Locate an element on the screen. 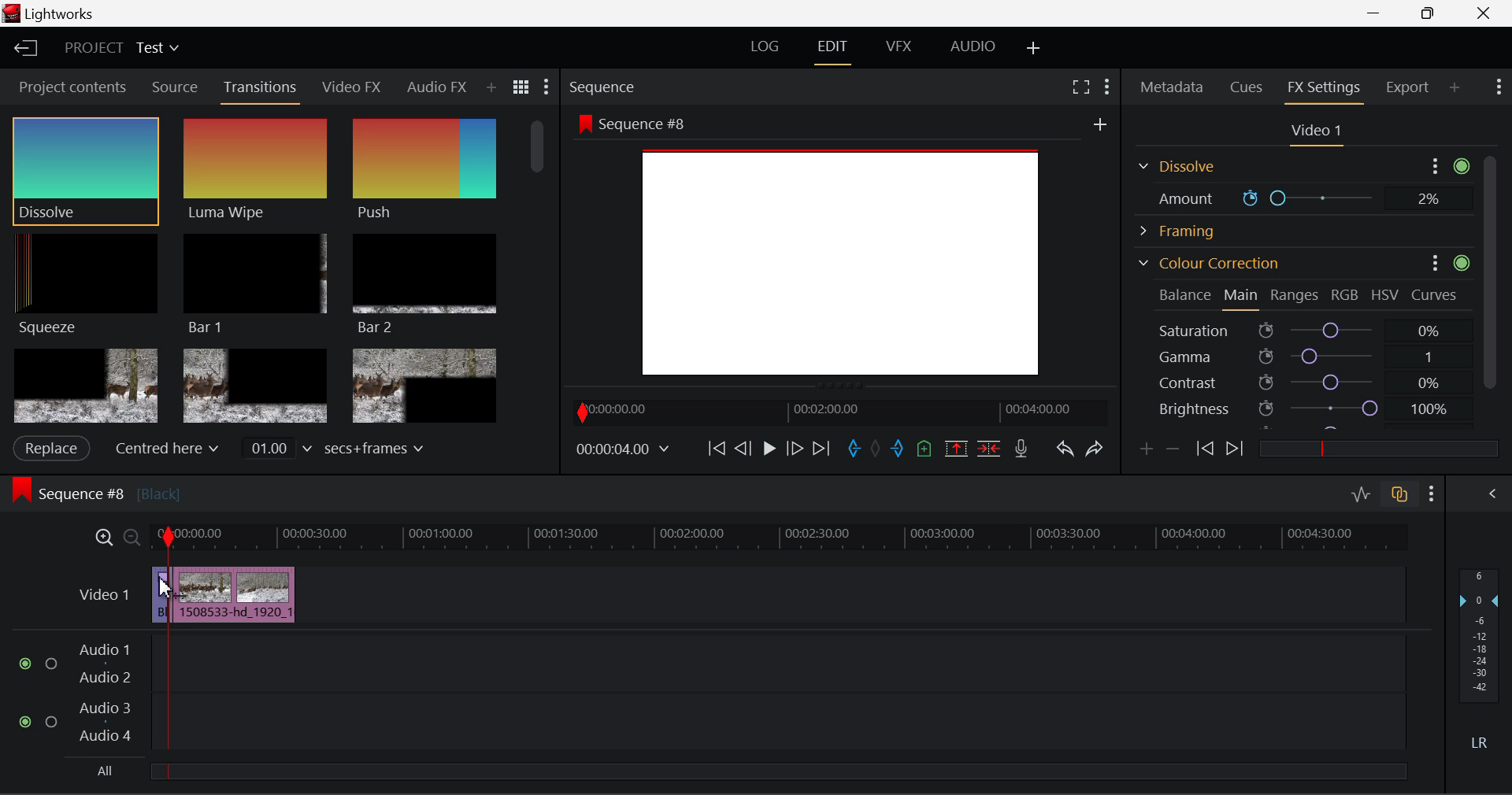 Image resolution: width=1512 pixels, height=795 pixels. Window Title is located at coordinates (53, 15).